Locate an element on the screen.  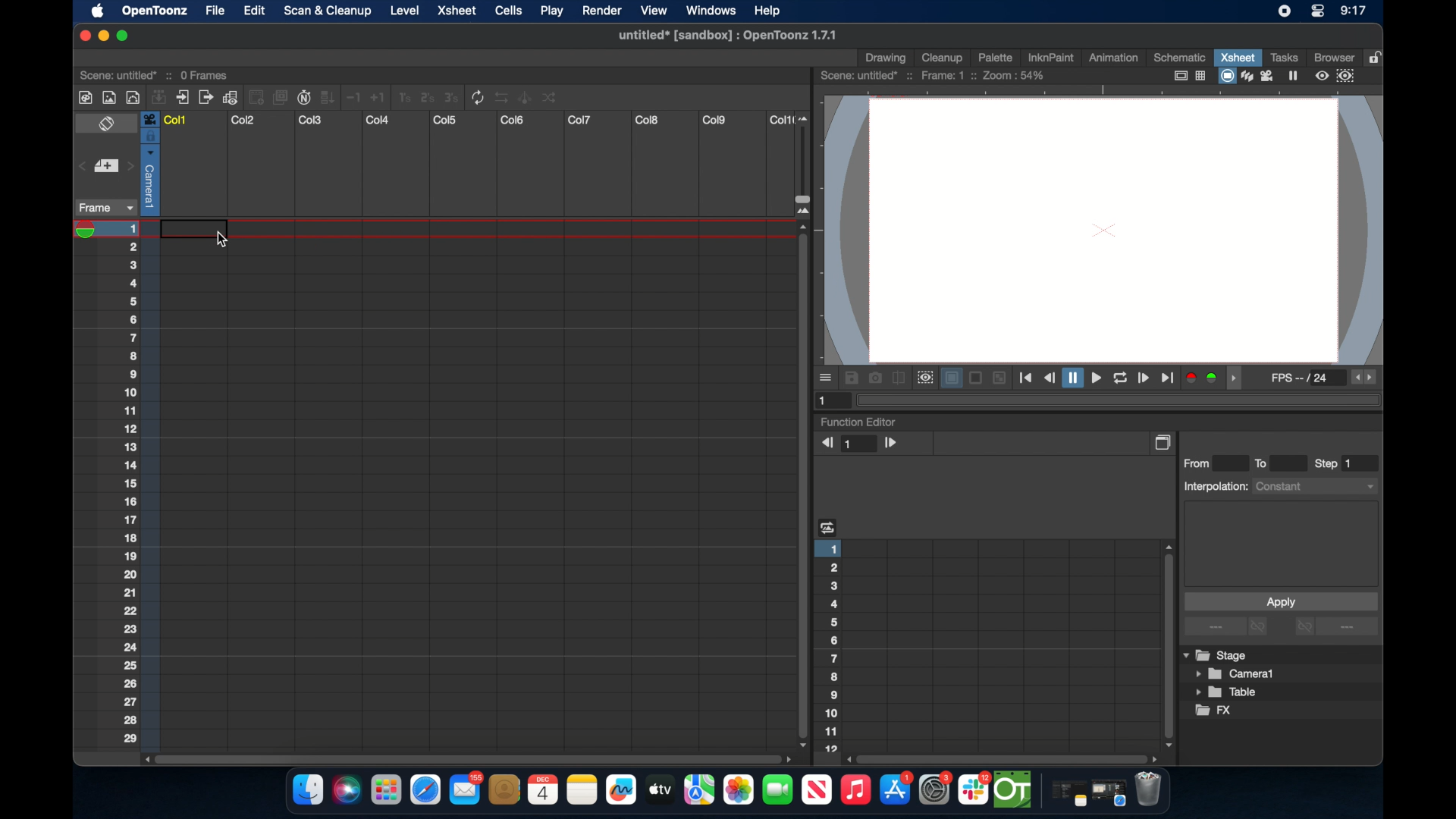
color channels is located at coordinates (1203, 377).